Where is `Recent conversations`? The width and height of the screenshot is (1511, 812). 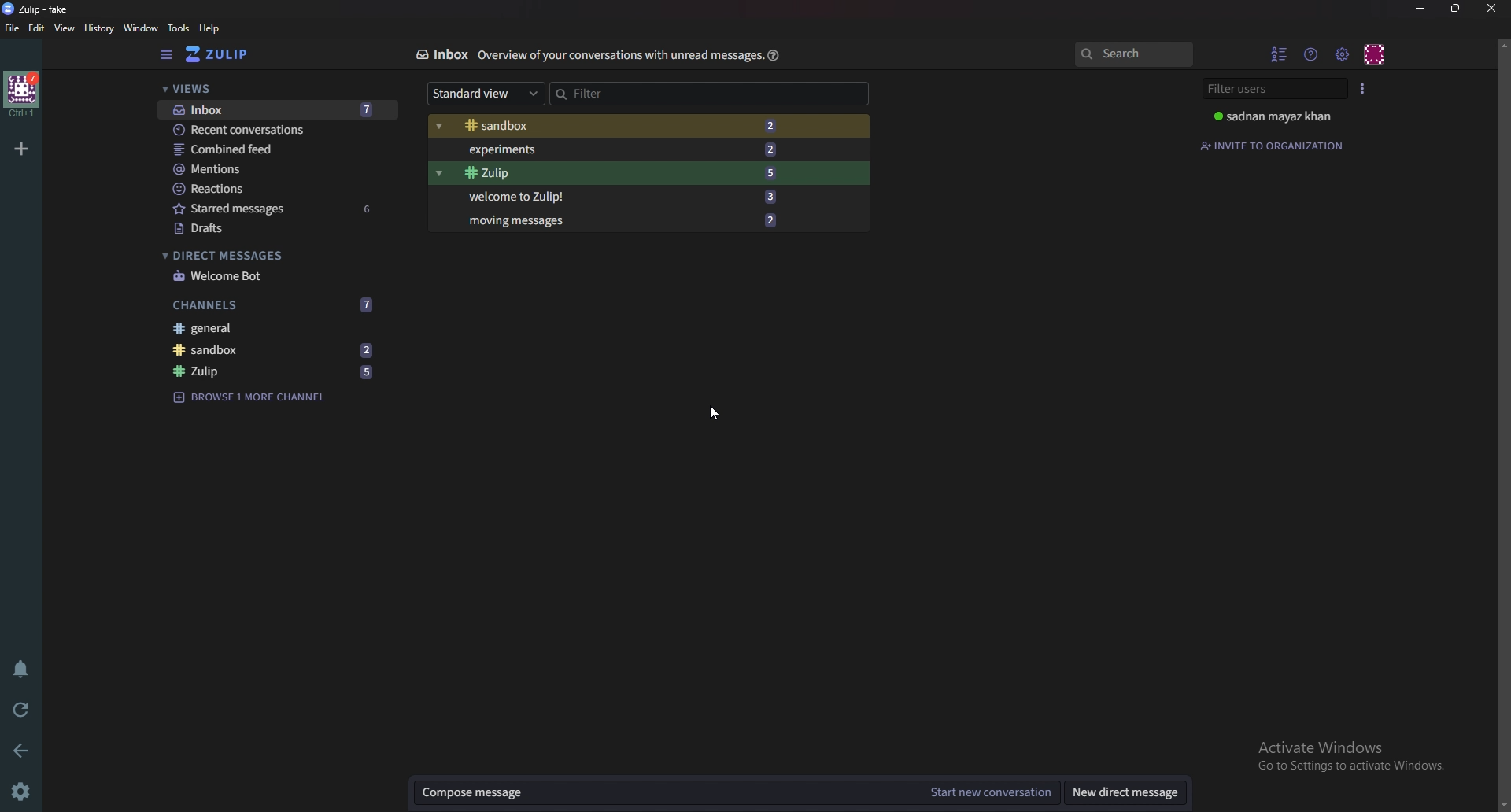
Recent conversations is located at coordinates (278, 131).